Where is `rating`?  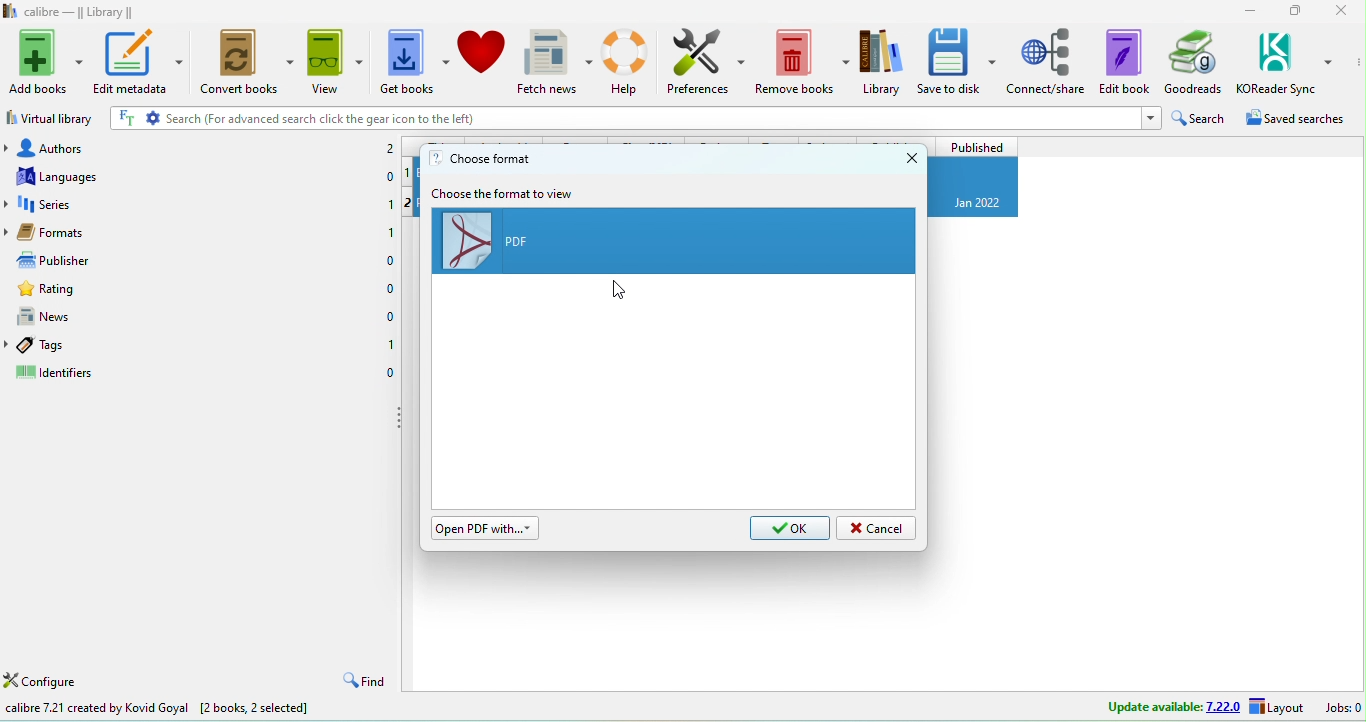 rating is located at coordinates (79, 287).